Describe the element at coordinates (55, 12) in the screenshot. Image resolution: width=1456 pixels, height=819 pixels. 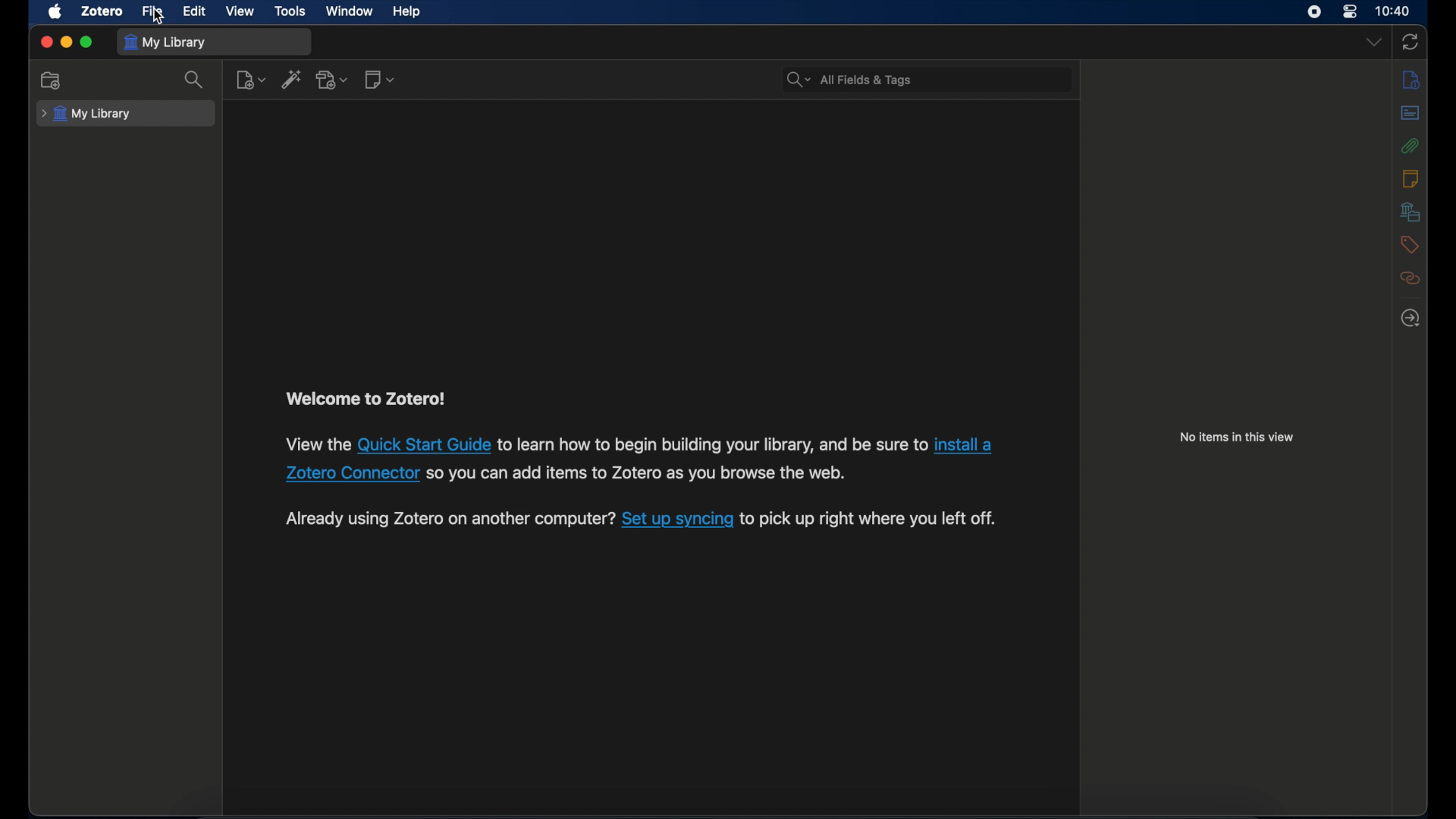
I see `apple` at that location.